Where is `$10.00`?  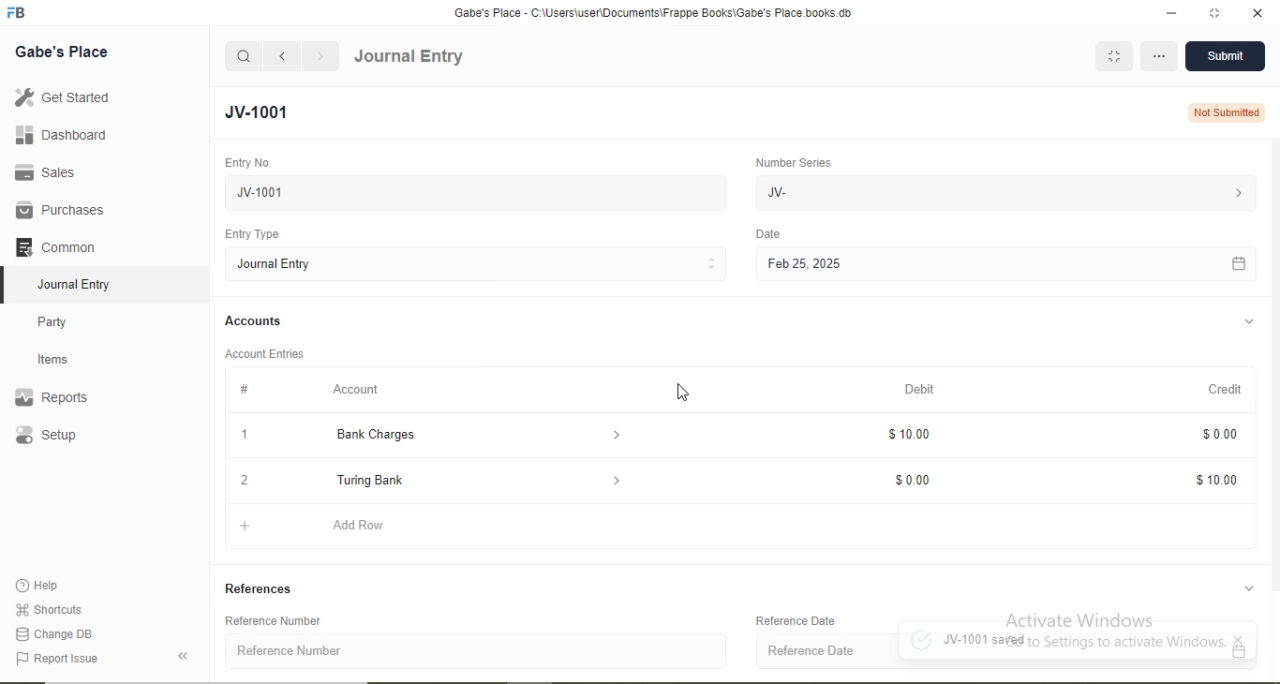 $10.00 is located at coordinates (910, 434).